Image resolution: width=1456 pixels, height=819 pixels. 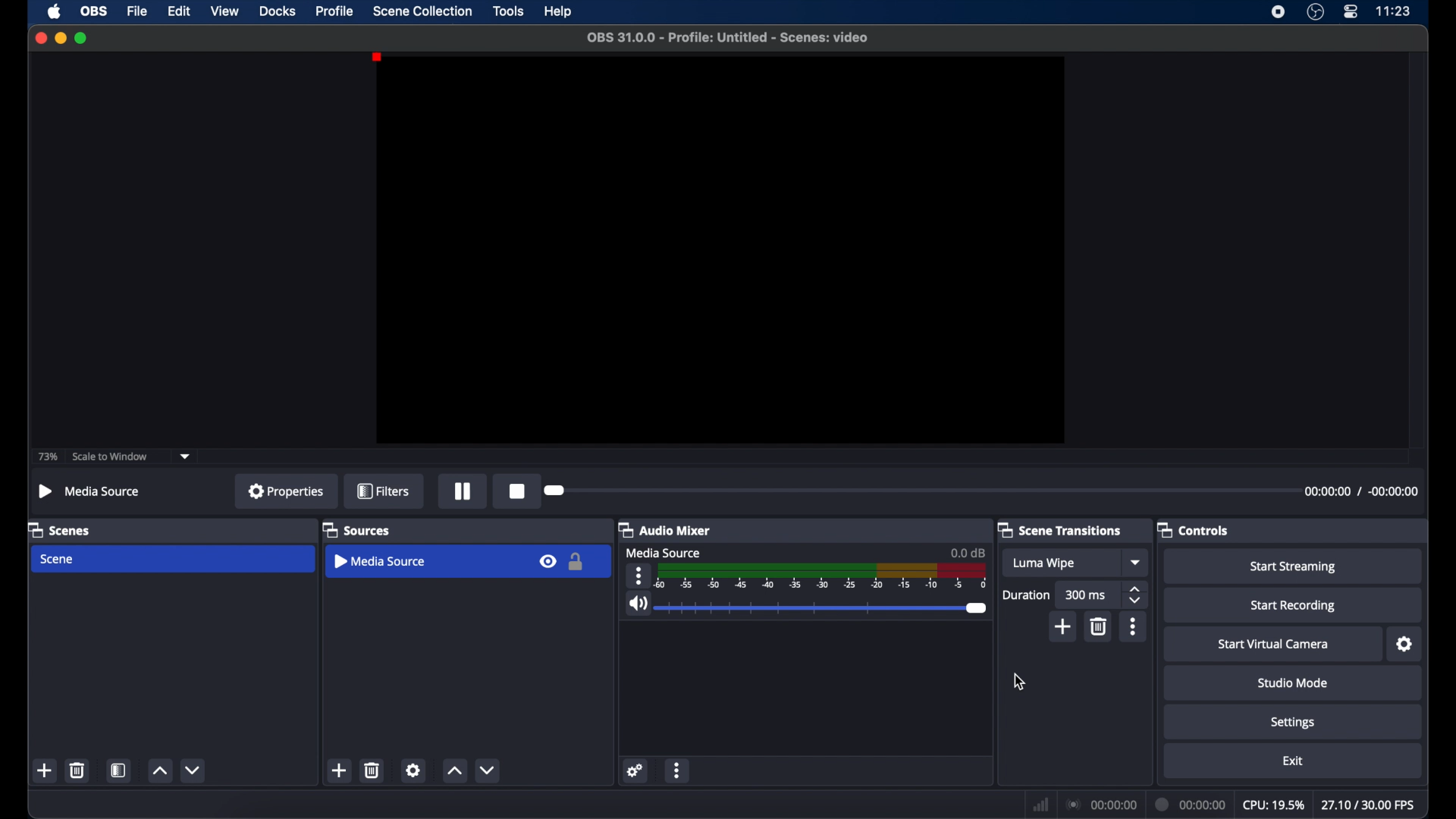 I want to click on filters, so click(x=384, y=491).